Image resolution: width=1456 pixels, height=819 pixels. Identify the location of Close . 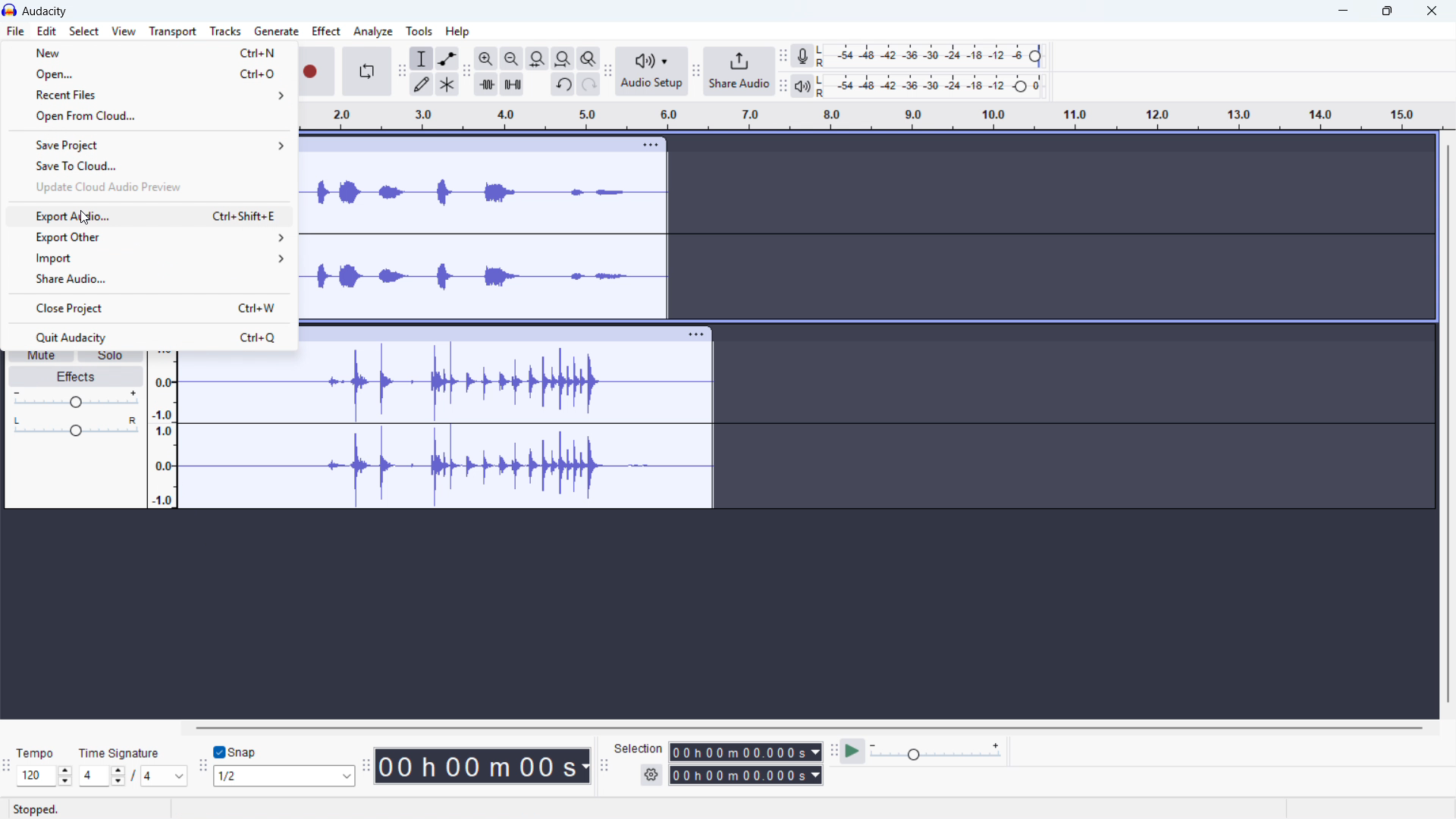
(1431, 11).